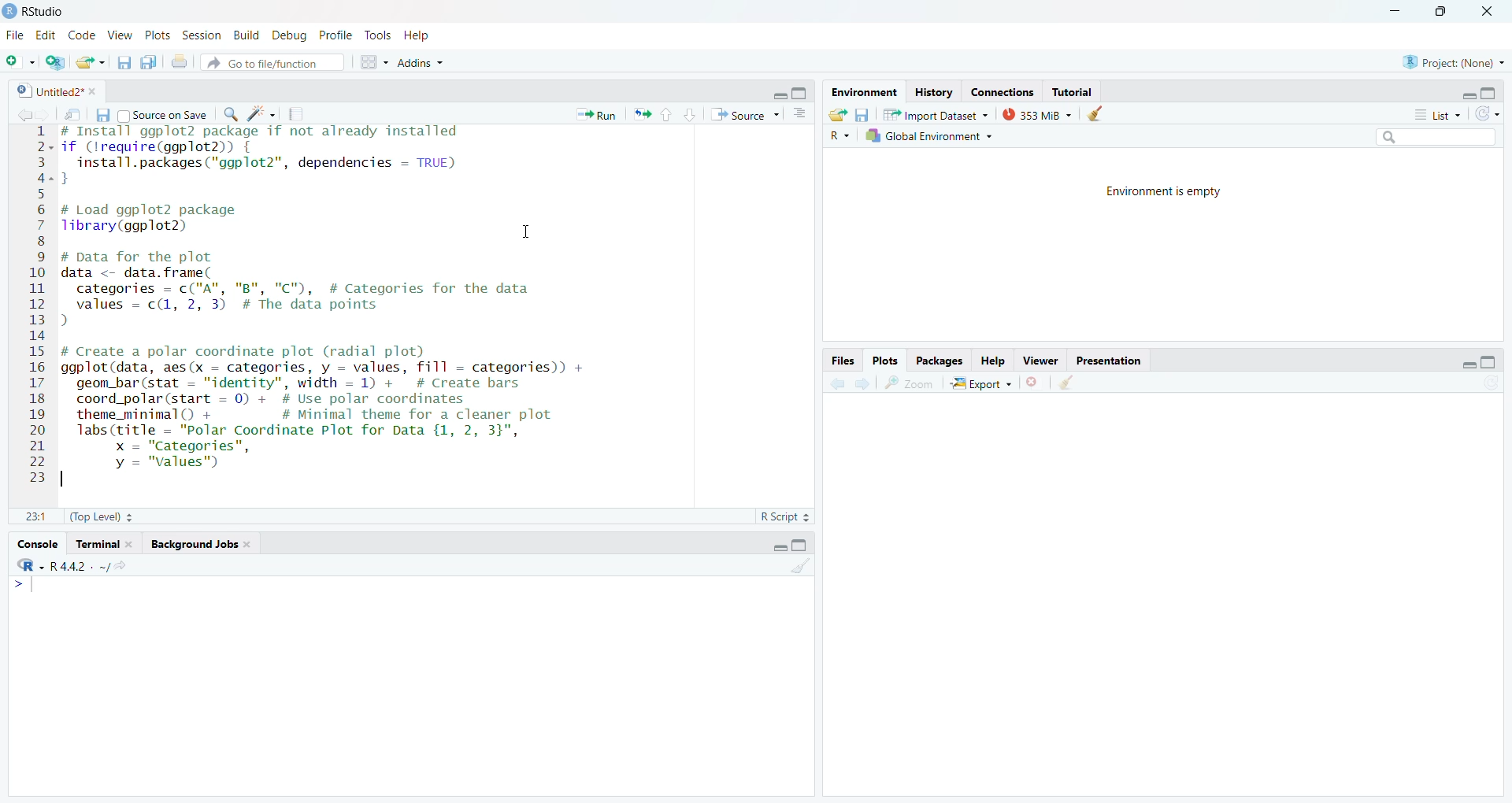 The height and width of the screenshot is (803, 1512). I want to click on find/replace, so click(230, 113).